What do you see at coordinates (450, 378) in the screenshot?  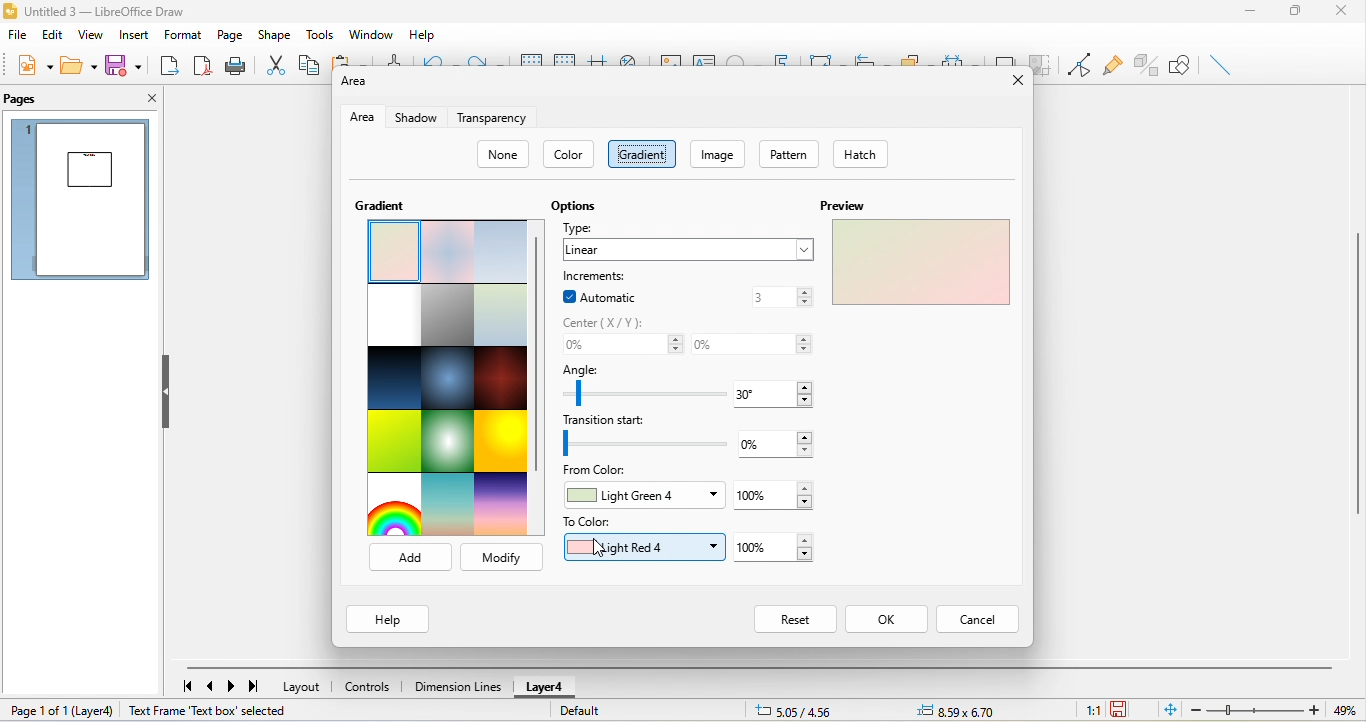 I see `deep ocean` at bounding box center [450, 378].